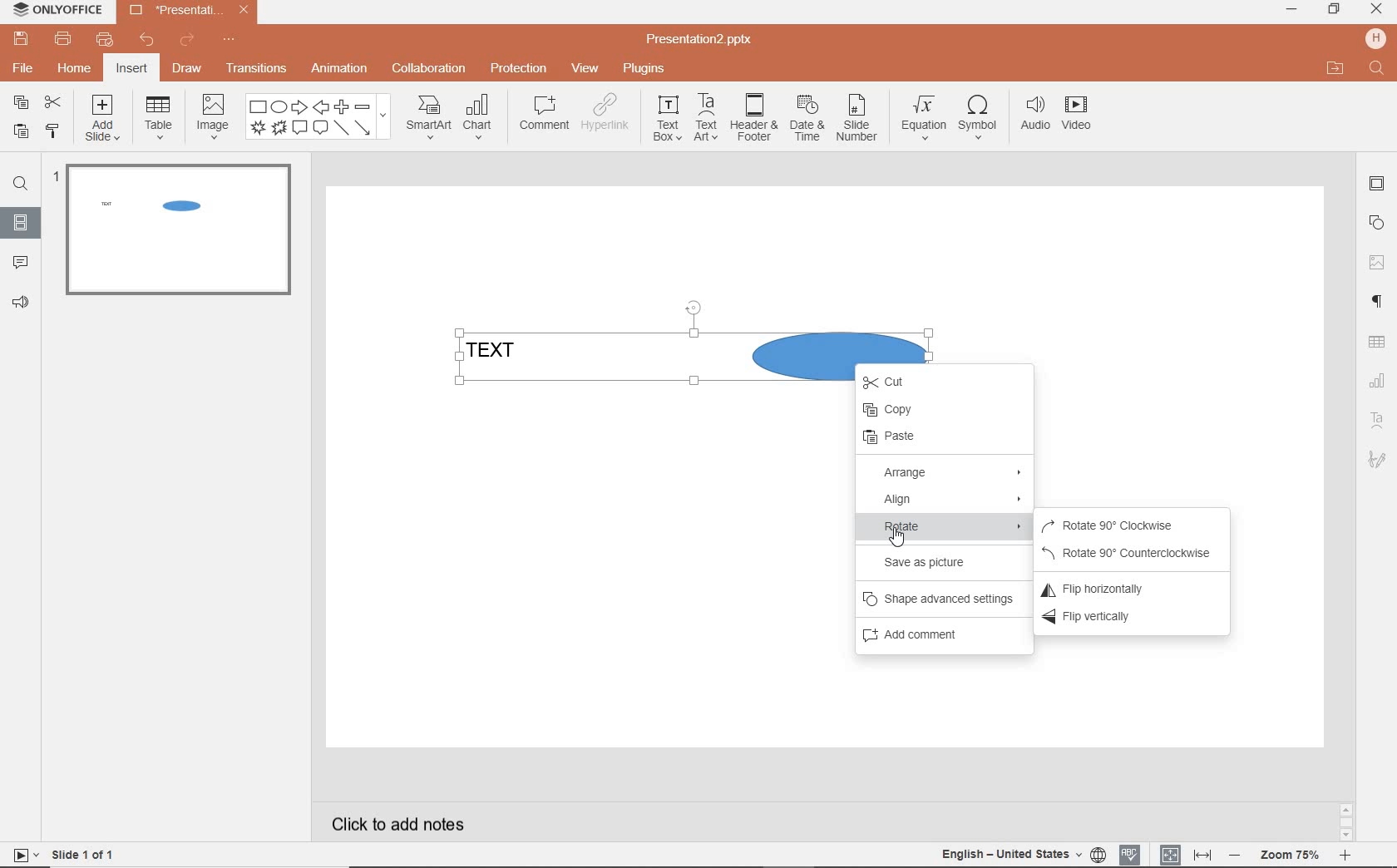 This screenshot has width=1397, height=868. I want to click on chart, so click(481, 116).